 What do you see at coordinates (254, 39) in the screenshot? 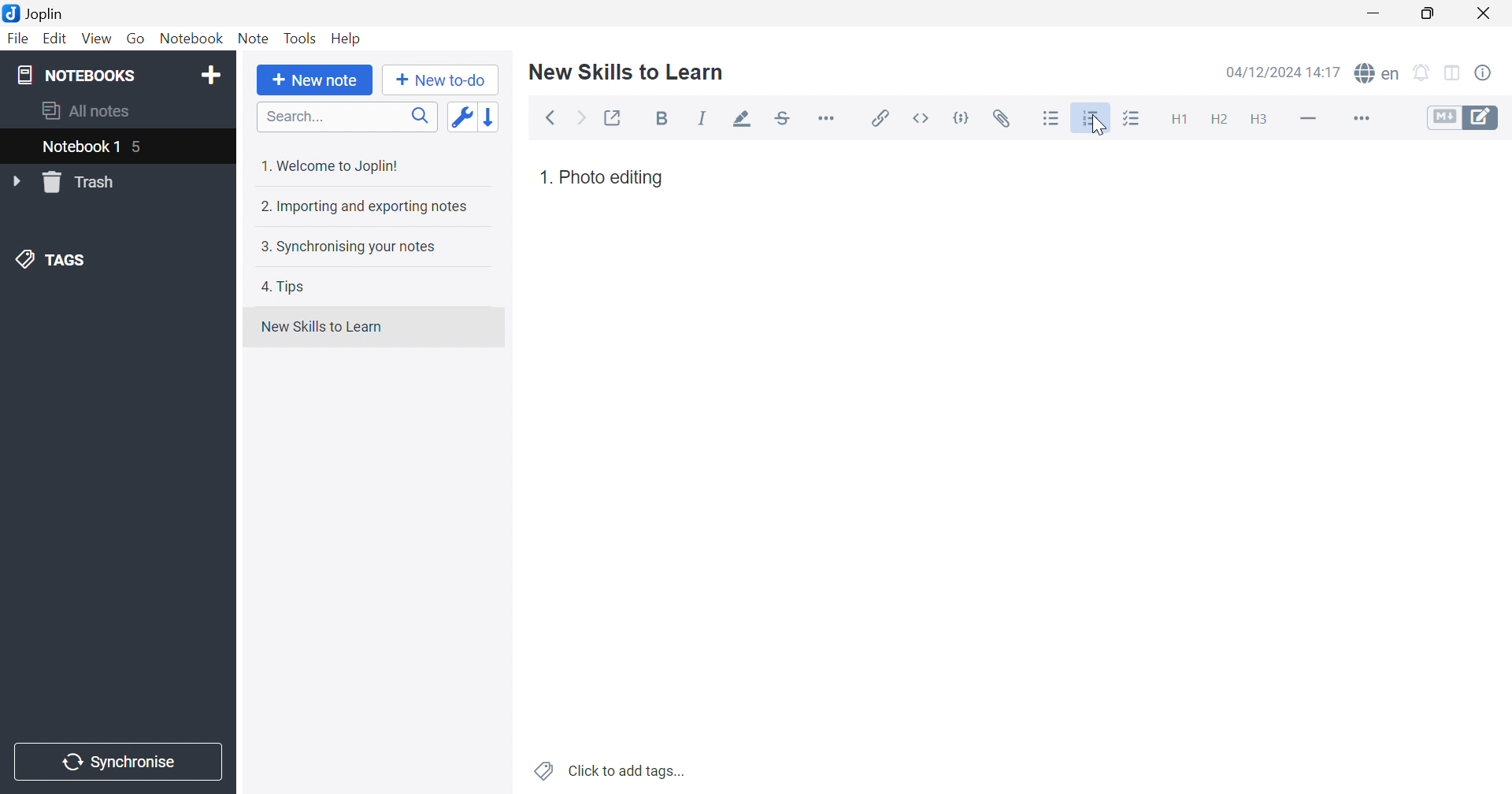
I see `Note` at bounding box center [254, 39].